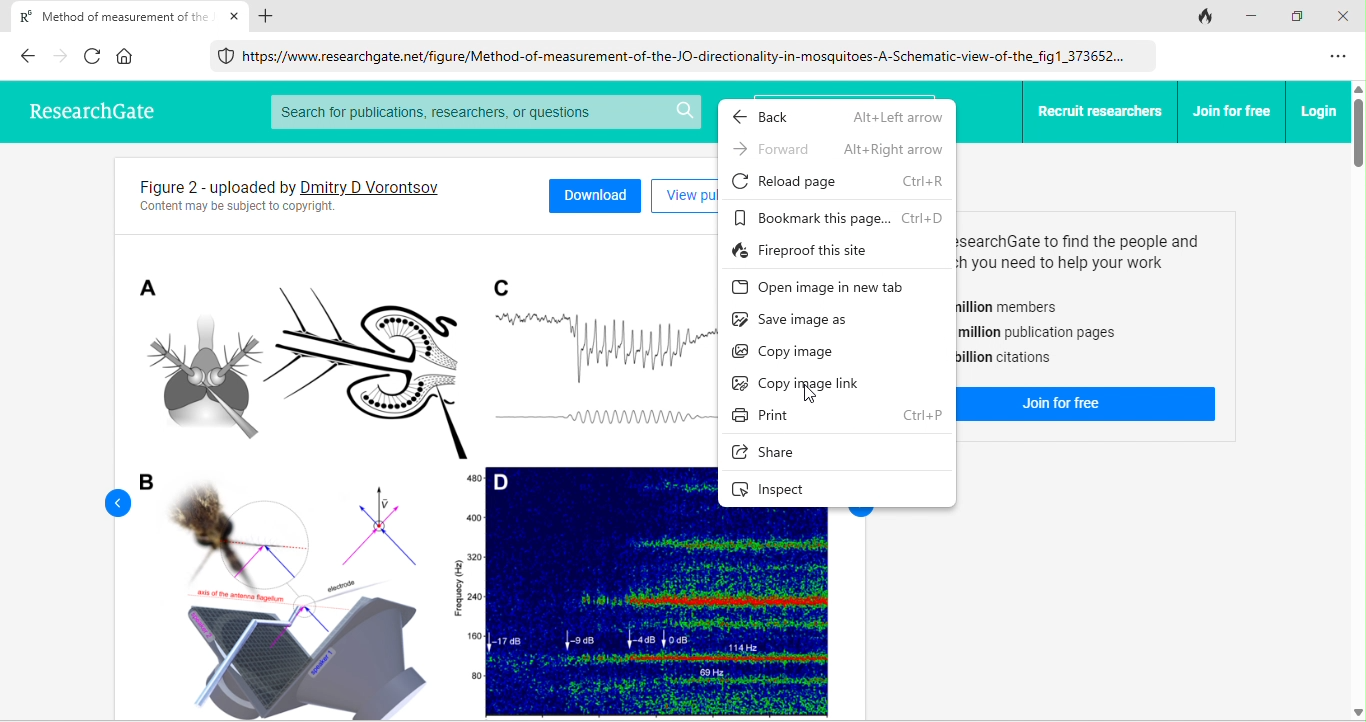  Describe the element at coordinates (267, 16) in the screenshot. I see `add tab` at that location.